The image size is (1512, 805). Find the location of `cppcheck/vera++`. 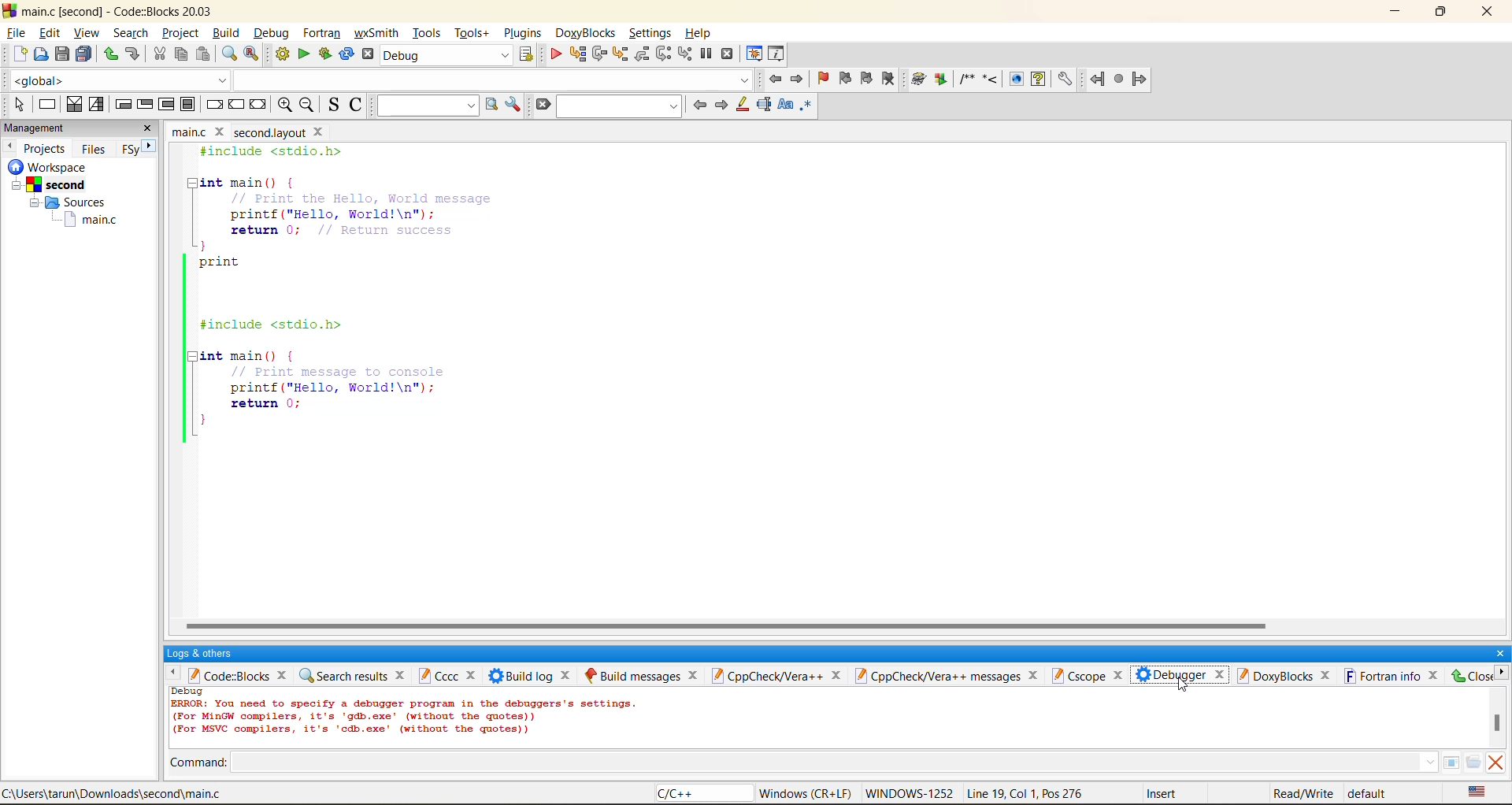

cppcheck/vera++ is located at coordinates (780, 677).